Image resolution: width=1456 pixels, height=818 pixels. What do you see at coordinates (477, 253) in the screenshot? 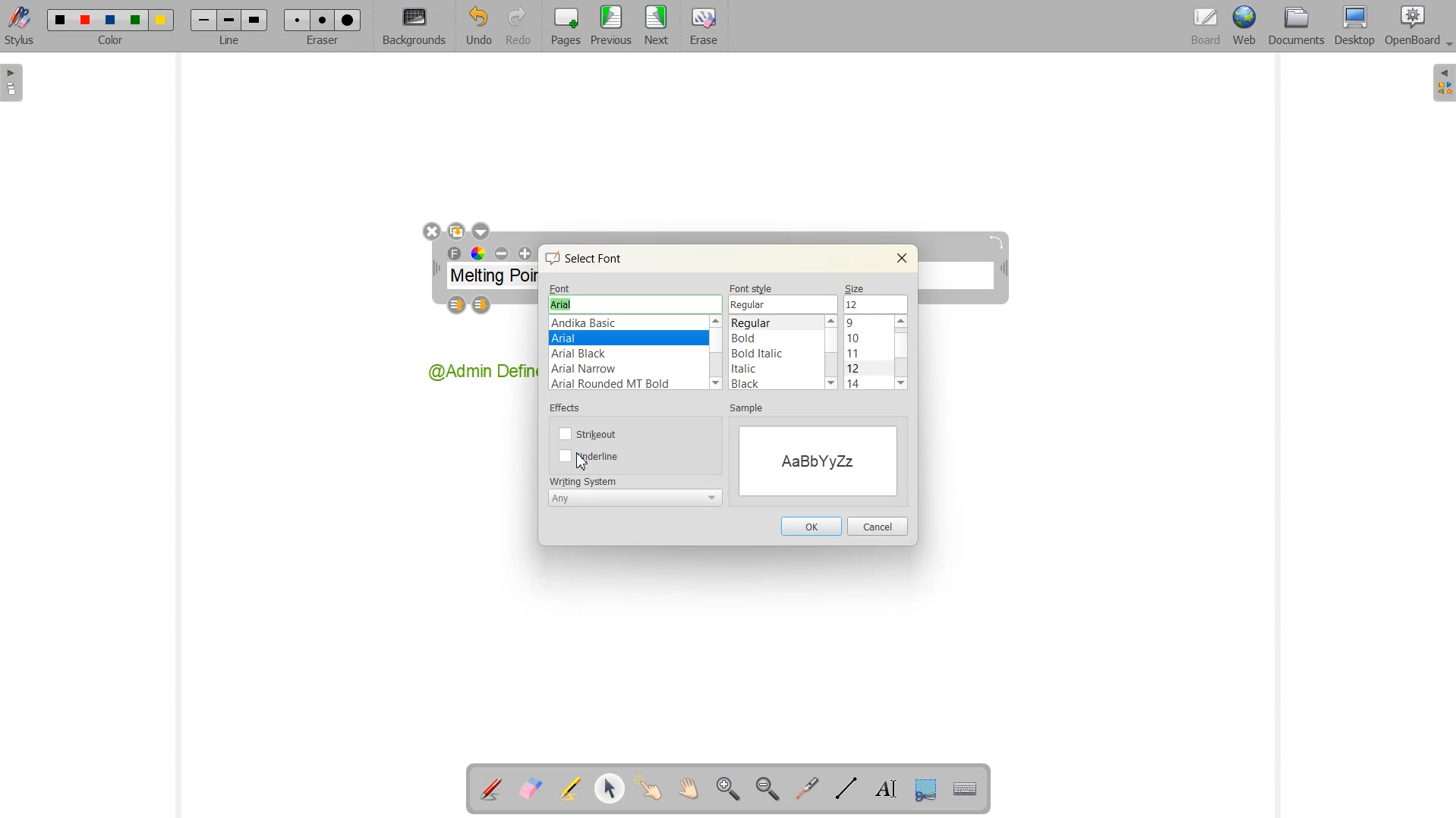
I see `Text Color` at bounding box center [477, 253].